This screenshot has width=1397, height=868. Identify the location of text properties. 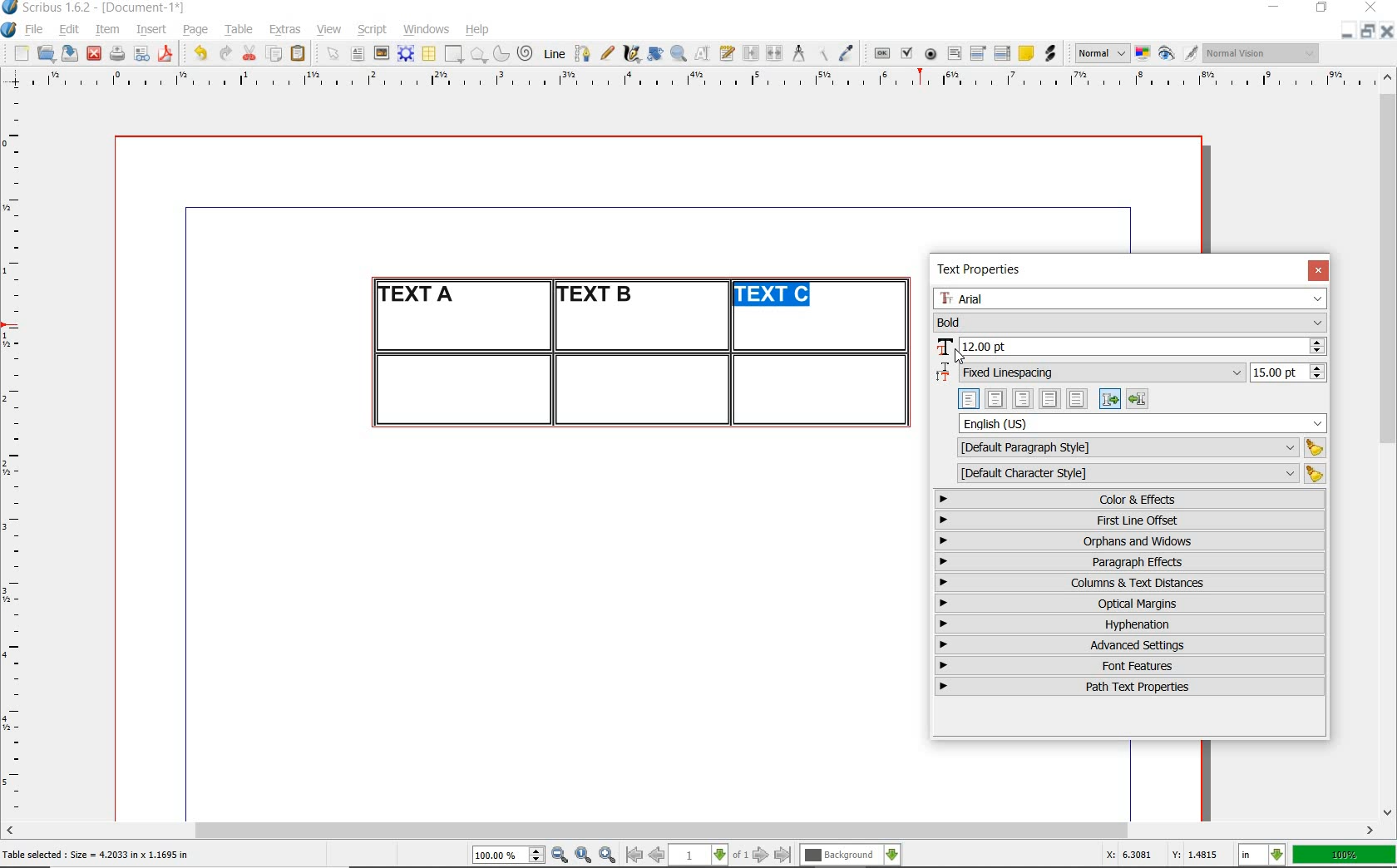
(985, 269).